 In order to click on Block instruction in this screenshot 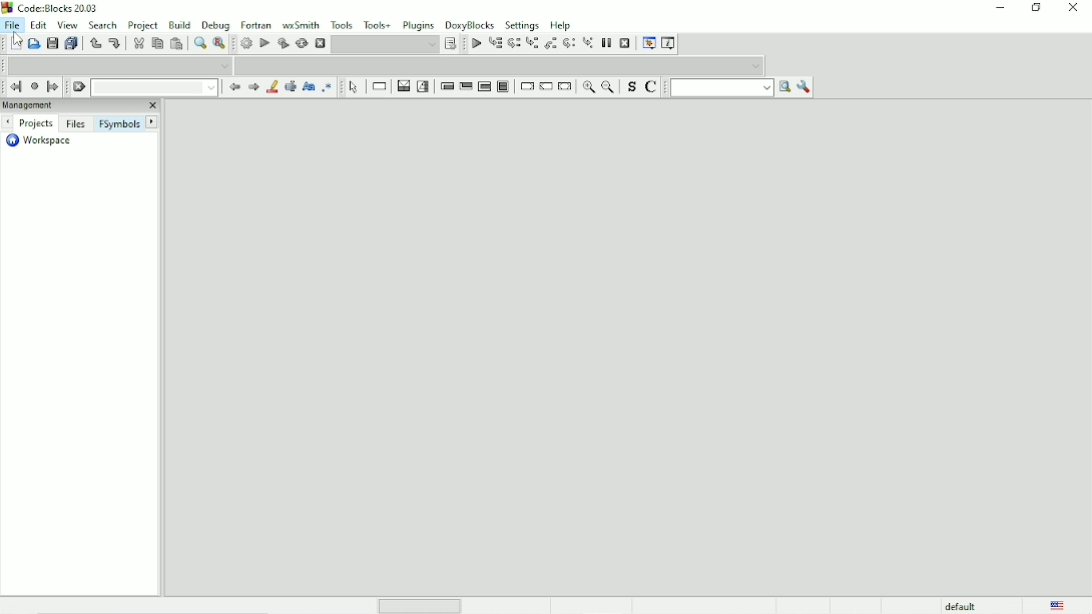, I will do `click(503, 87)`.